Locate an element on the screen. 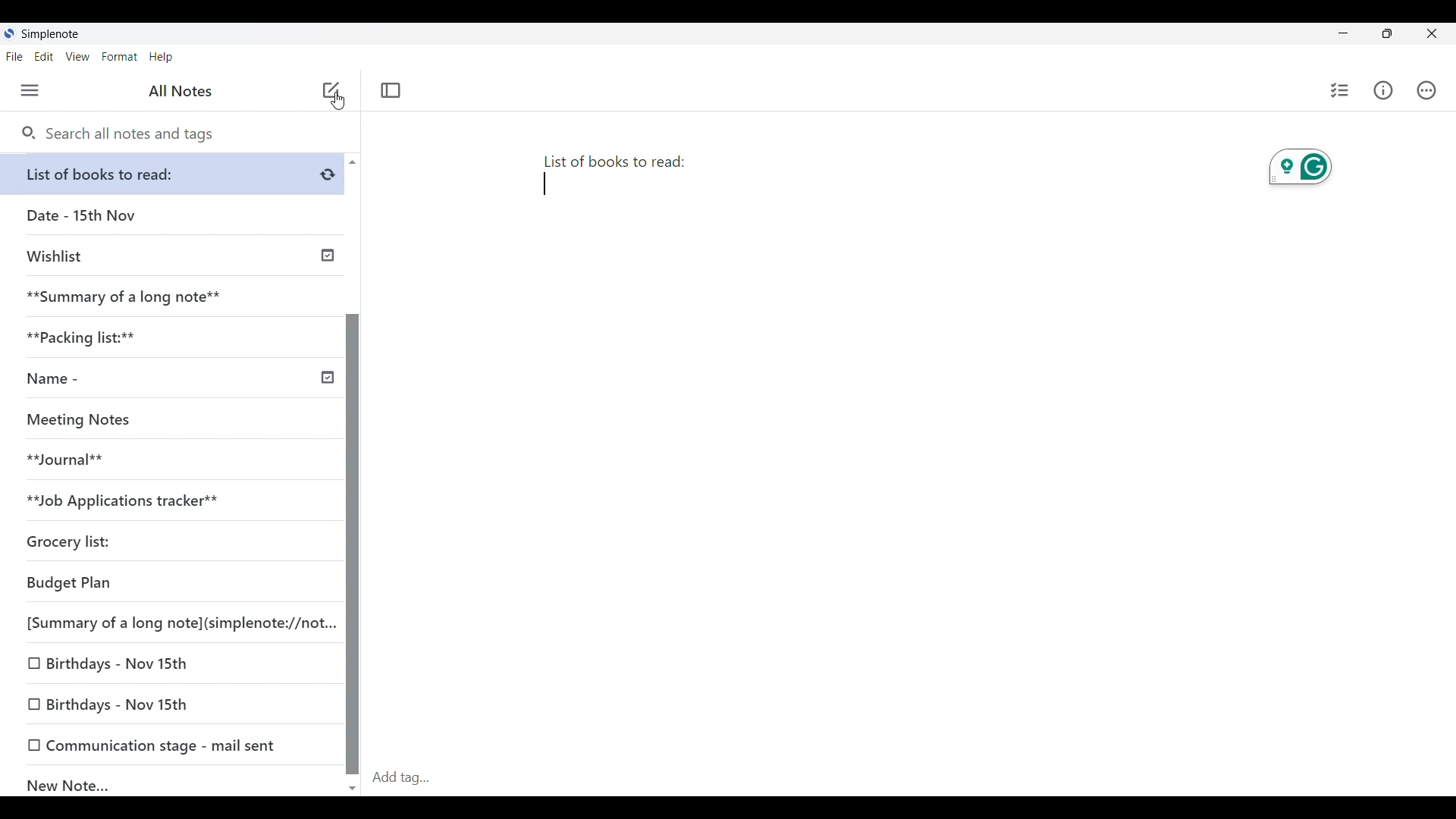  Birthdays - Nov 15th is located at coordinates (174, 705).